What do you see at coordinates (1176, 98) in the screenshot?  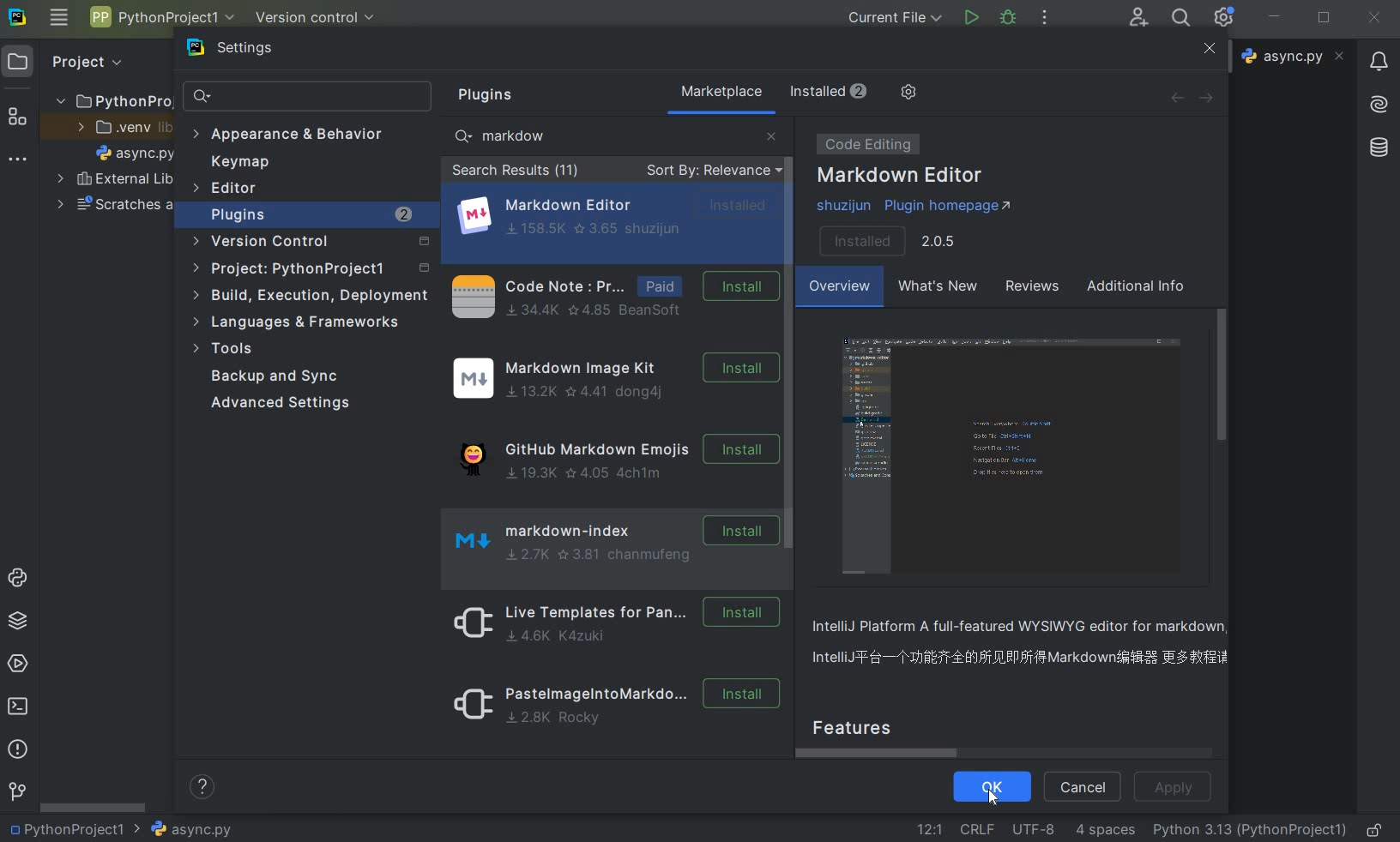 I see `back` at bounding box center [1176, 98].